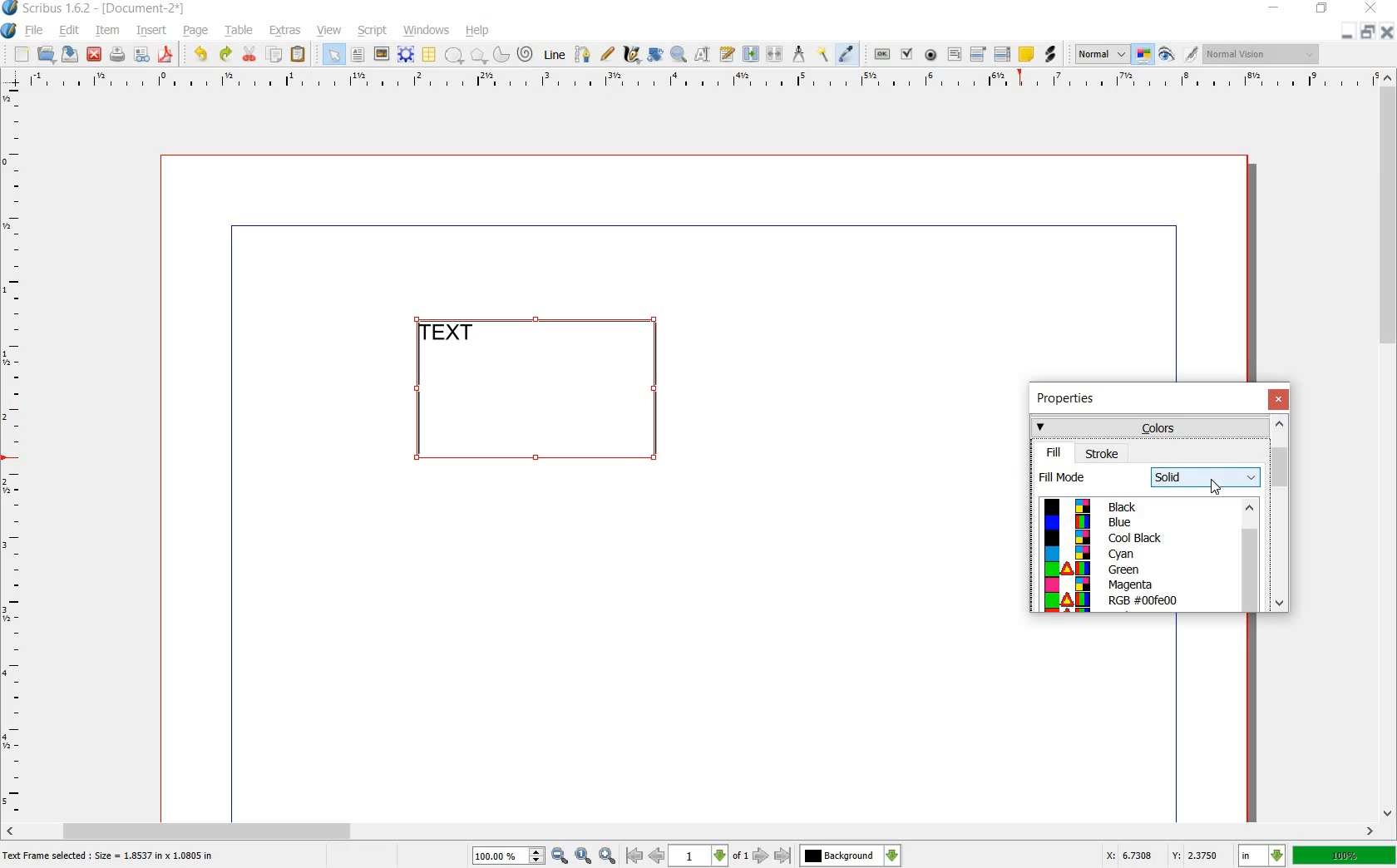 Image resolution: width=1397 pixels, height=868 pixels. What do you see at coordinates (906, 54) in the screenshot?
I see `pdf check box` at bounding box center [906, 54].